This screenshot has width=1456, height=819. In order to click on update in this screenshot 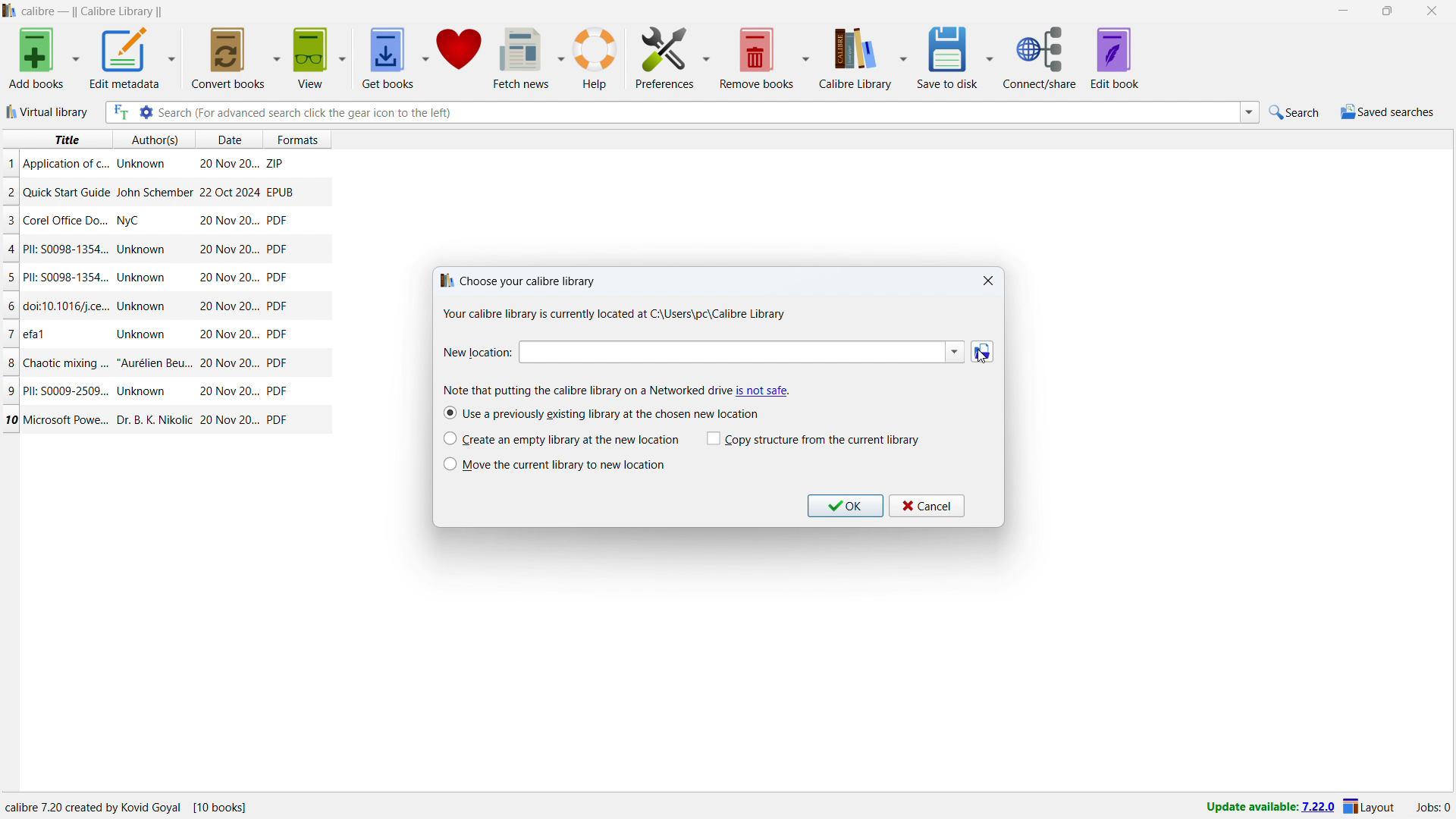, I will do `click(1269, 808)`.